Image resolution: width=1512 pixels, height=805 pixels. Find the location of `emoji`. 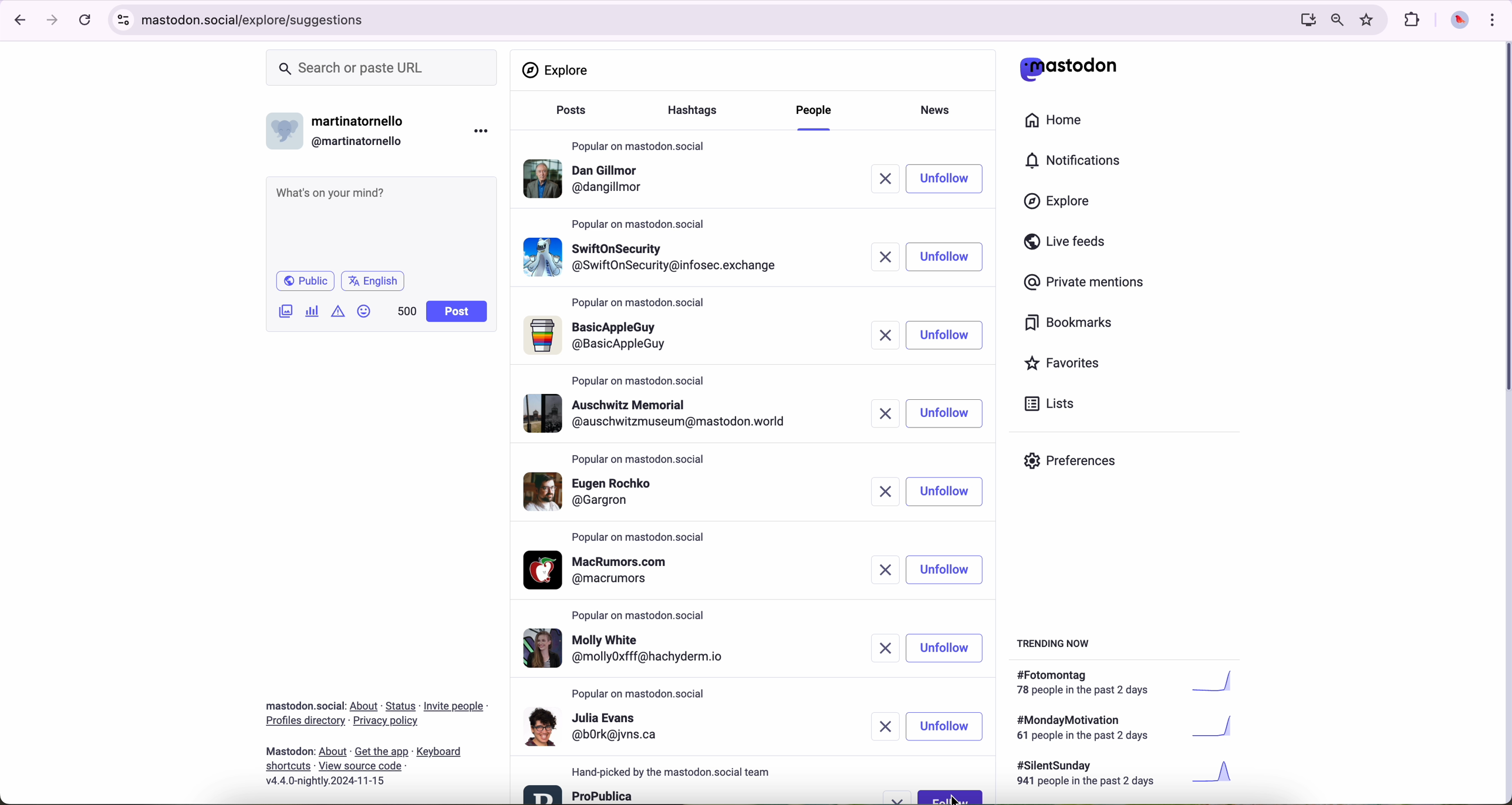

emoji is located at coordinates (365, 311).